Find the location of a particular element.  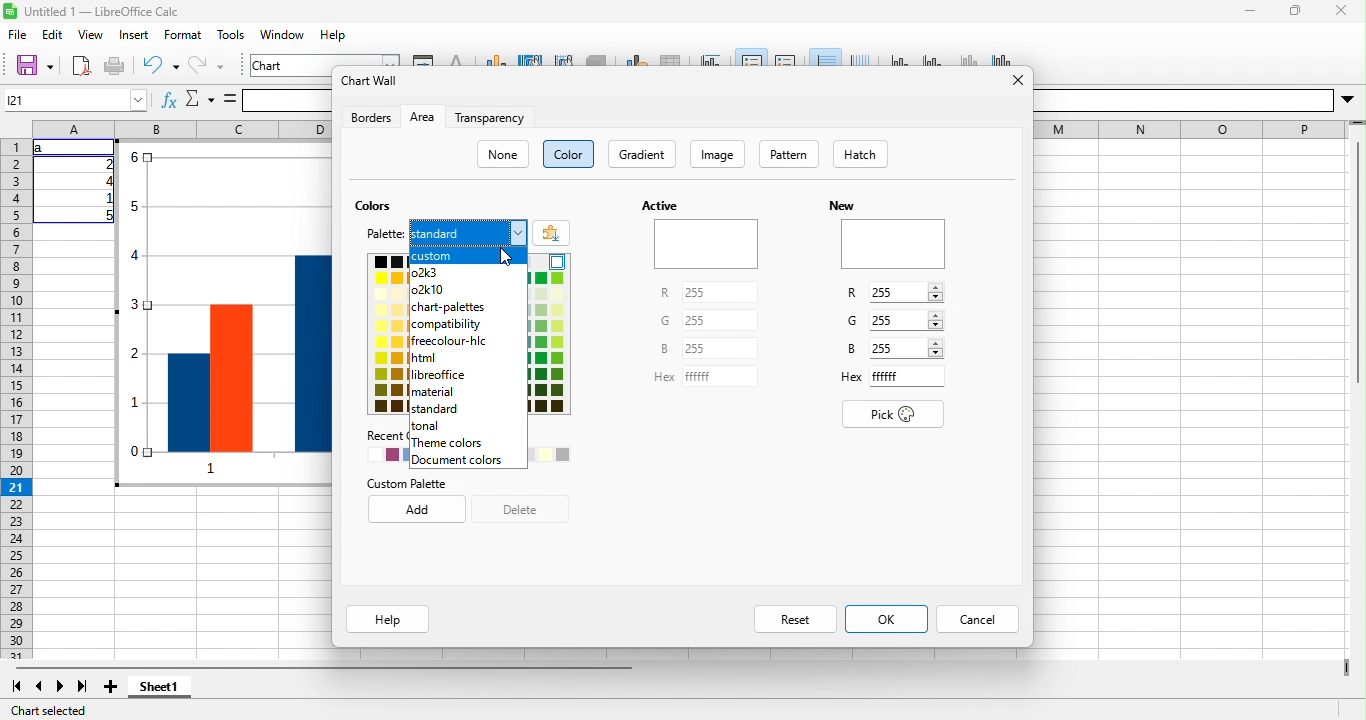

Input R value is located at coordinates (898, 292).